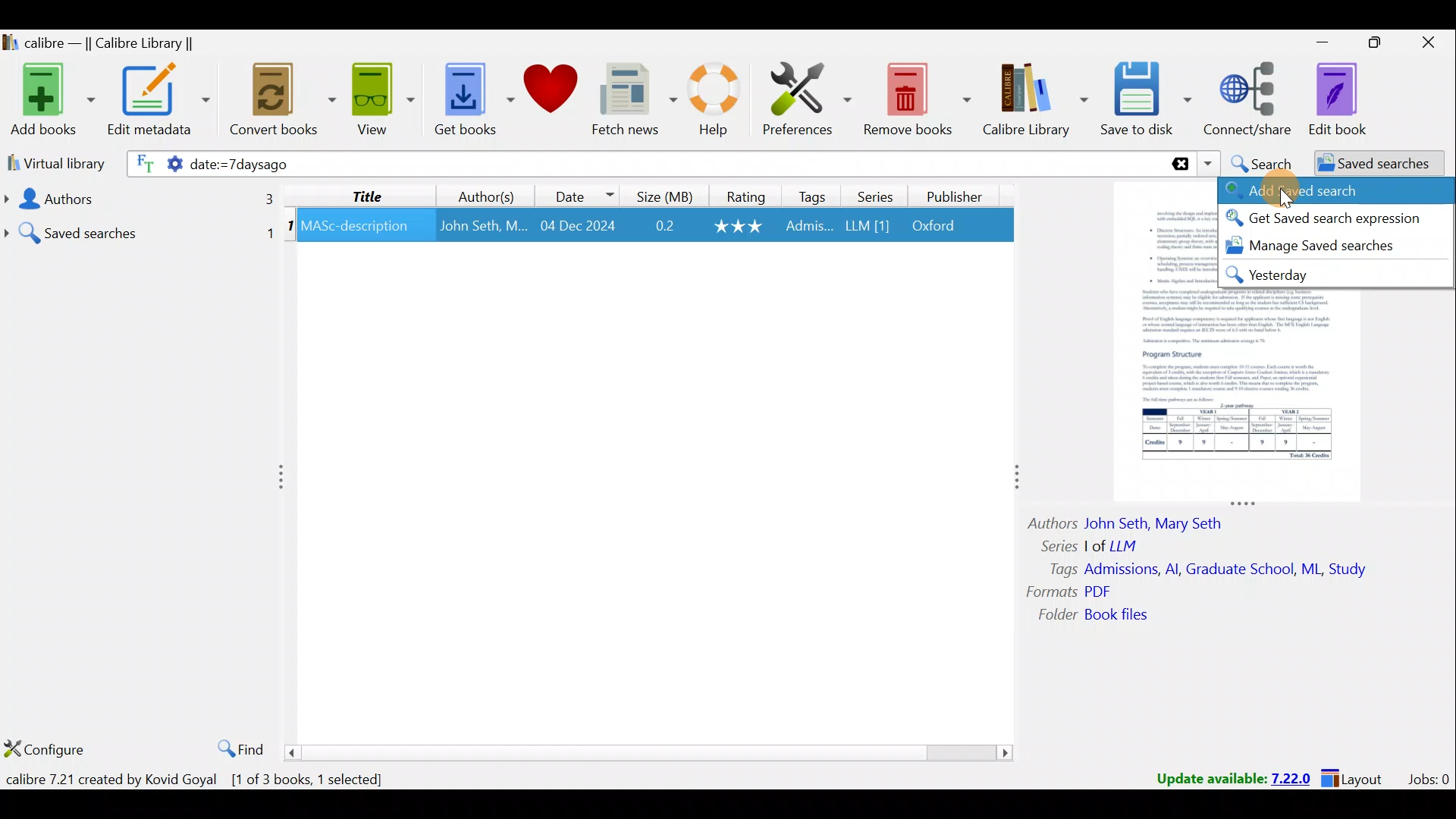  What do you see at coordinates (468, 97) in the screenshot?
I see `Get books` at bounding box center [468, 97].